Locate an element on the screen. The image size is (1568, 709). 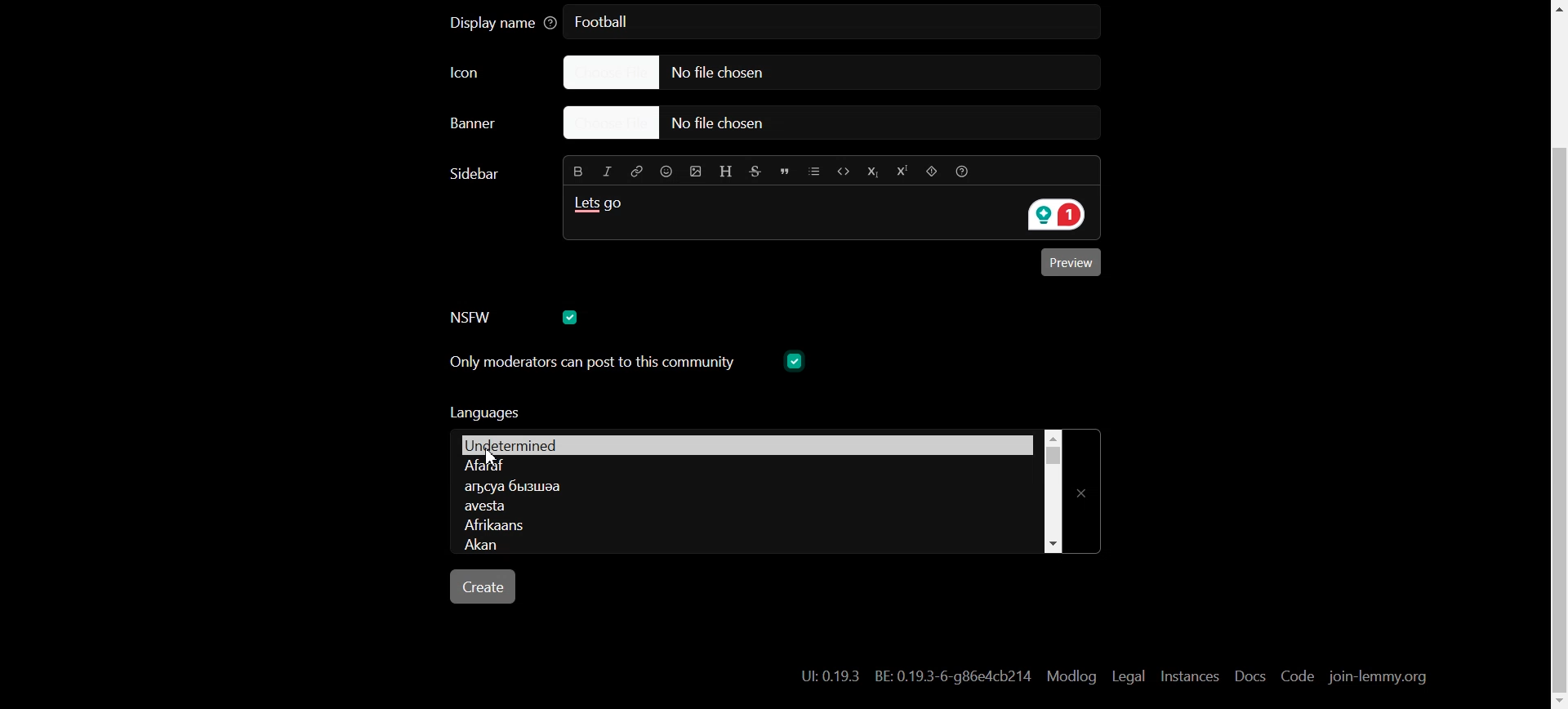
Cursor is located at coordinates (493, 457).